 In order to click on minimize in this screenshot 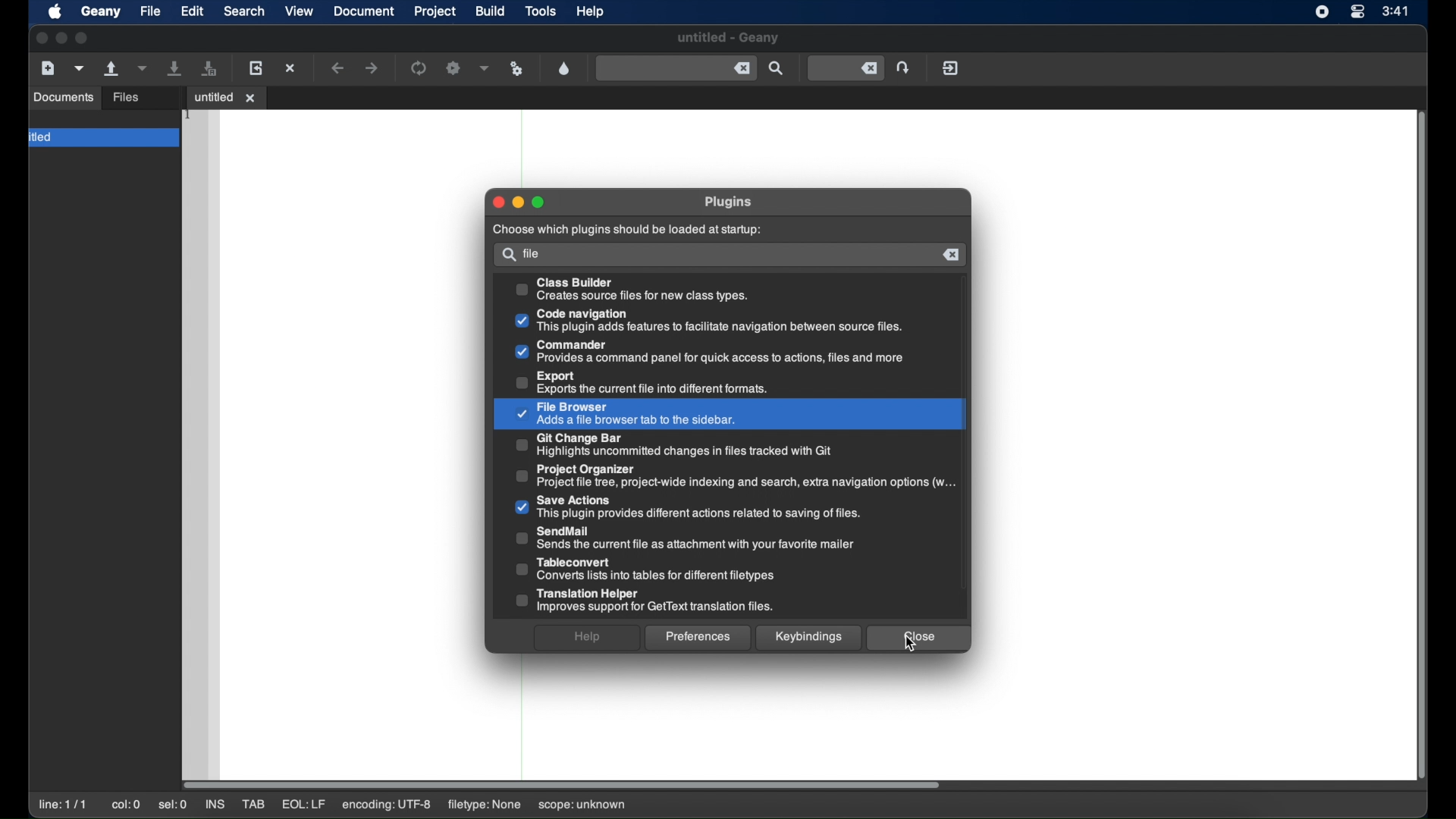, I will do `click(61, 38)`.